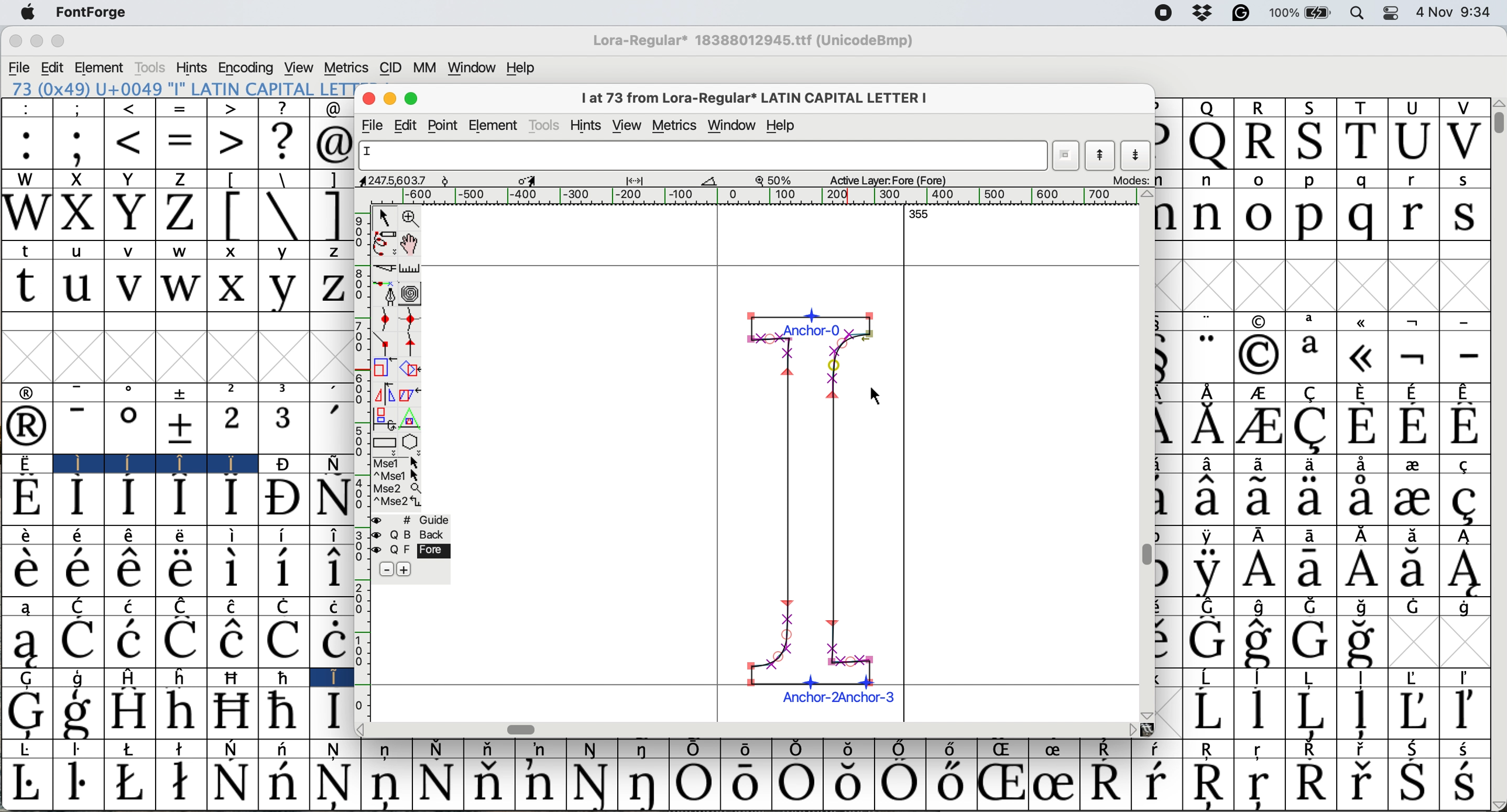 This screenshot has width=1507, height=812. Describe the element at coordinates (180, 427) in the screenshot. I see `Symbol` at that location.